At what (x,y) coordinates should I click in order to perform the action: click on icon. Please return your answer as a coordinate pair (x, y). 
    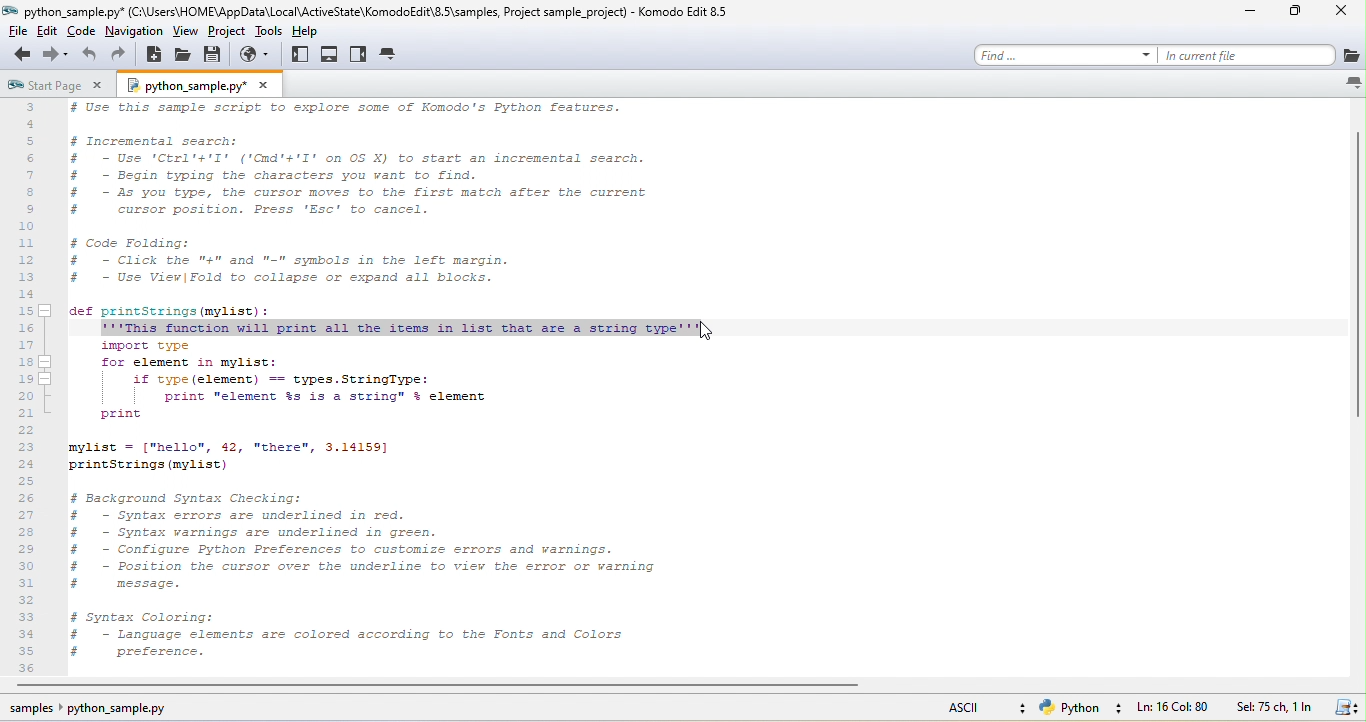
    Looking at the image, I should click on (1351, 82).